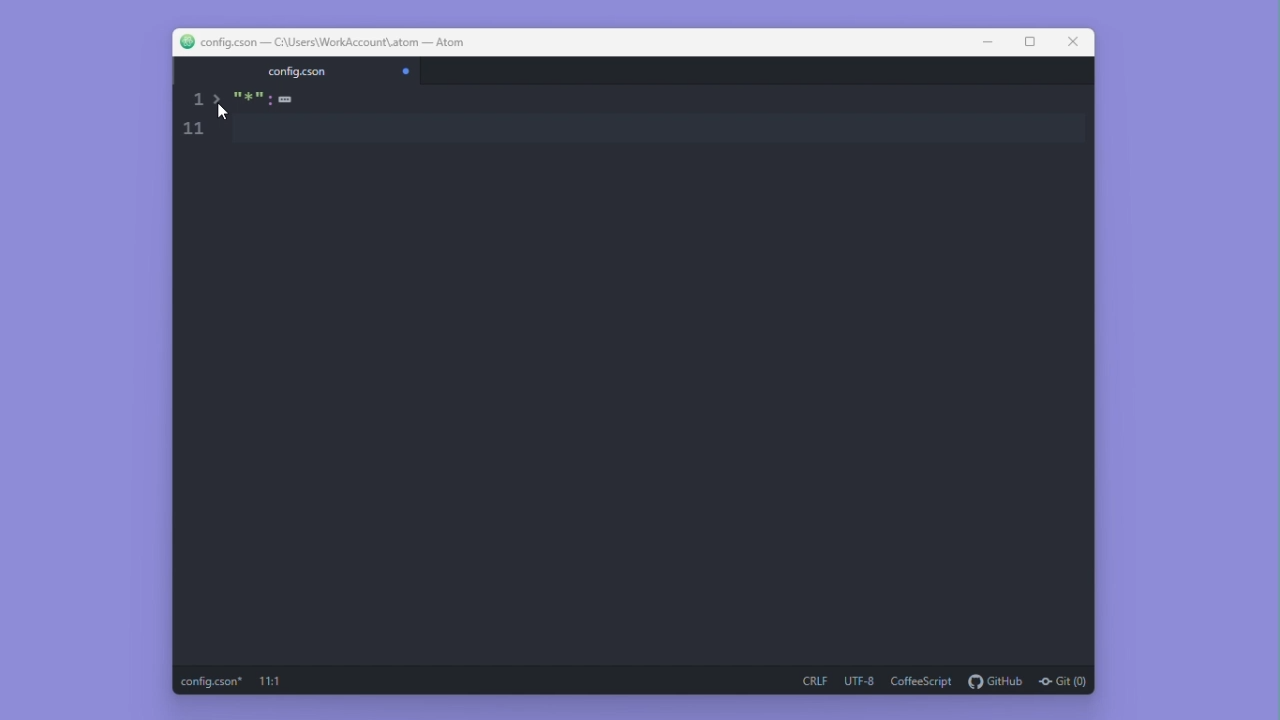 This screenshot has height=720, width=1280. Describe the element at coordinates (194, 118) in the screenshot. I see `scale` at that location.